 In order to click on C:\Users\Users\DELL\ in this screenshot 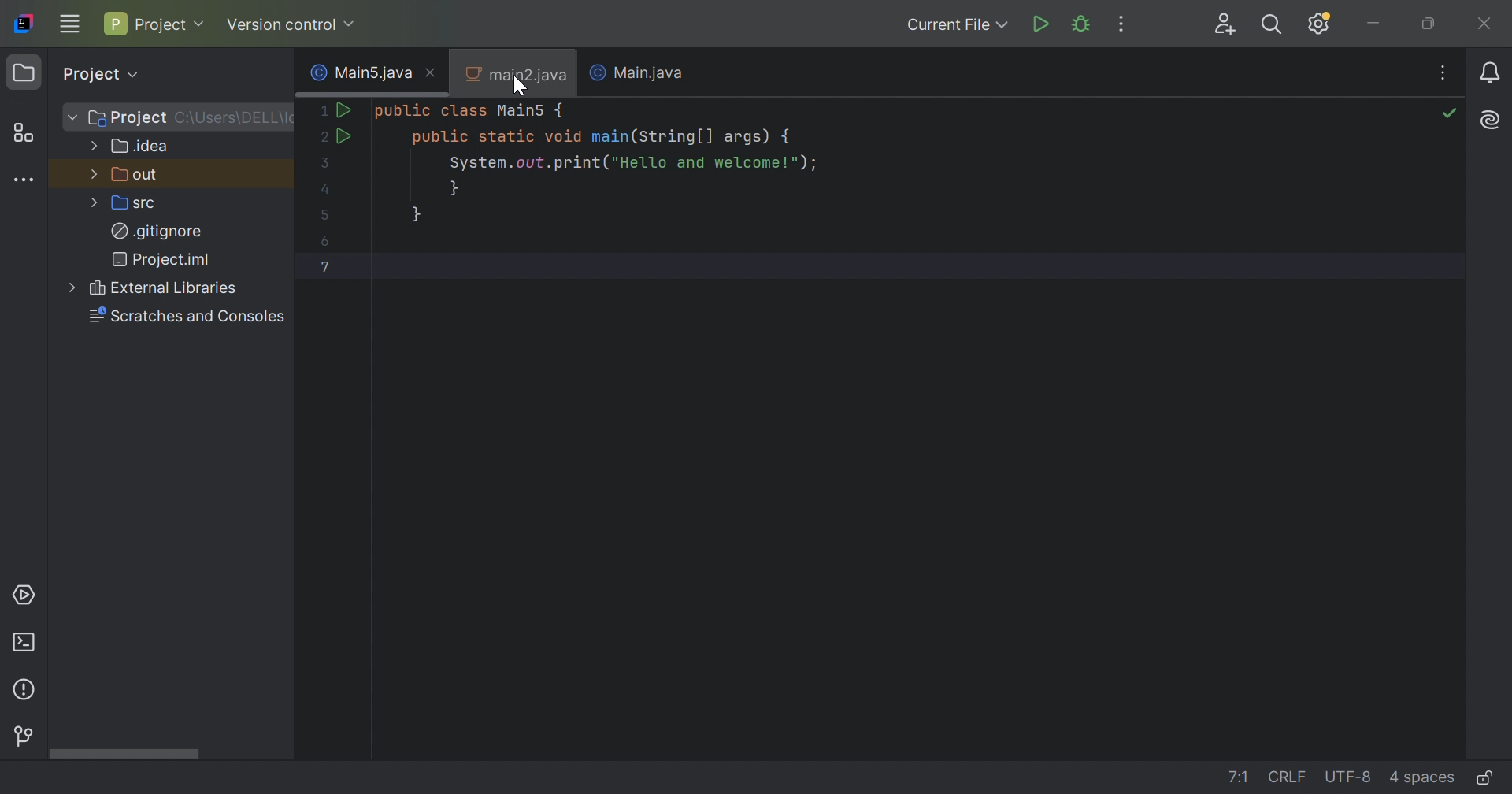, I will do `click(232, 118)`.